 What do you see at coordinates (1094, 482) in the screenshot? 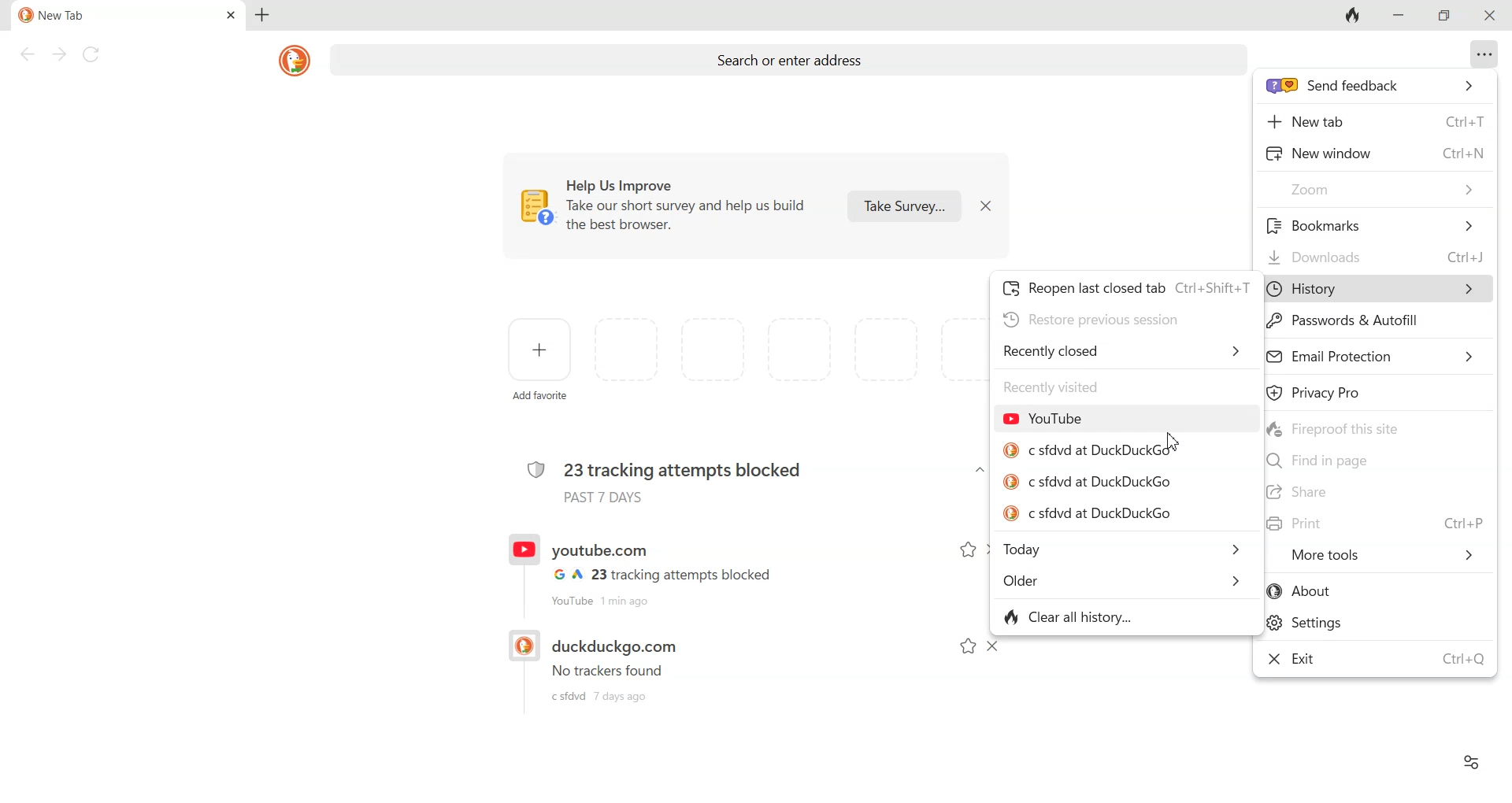
I see `c sfdvd at DuckDuckGo` at bounding box center [1094, 482].